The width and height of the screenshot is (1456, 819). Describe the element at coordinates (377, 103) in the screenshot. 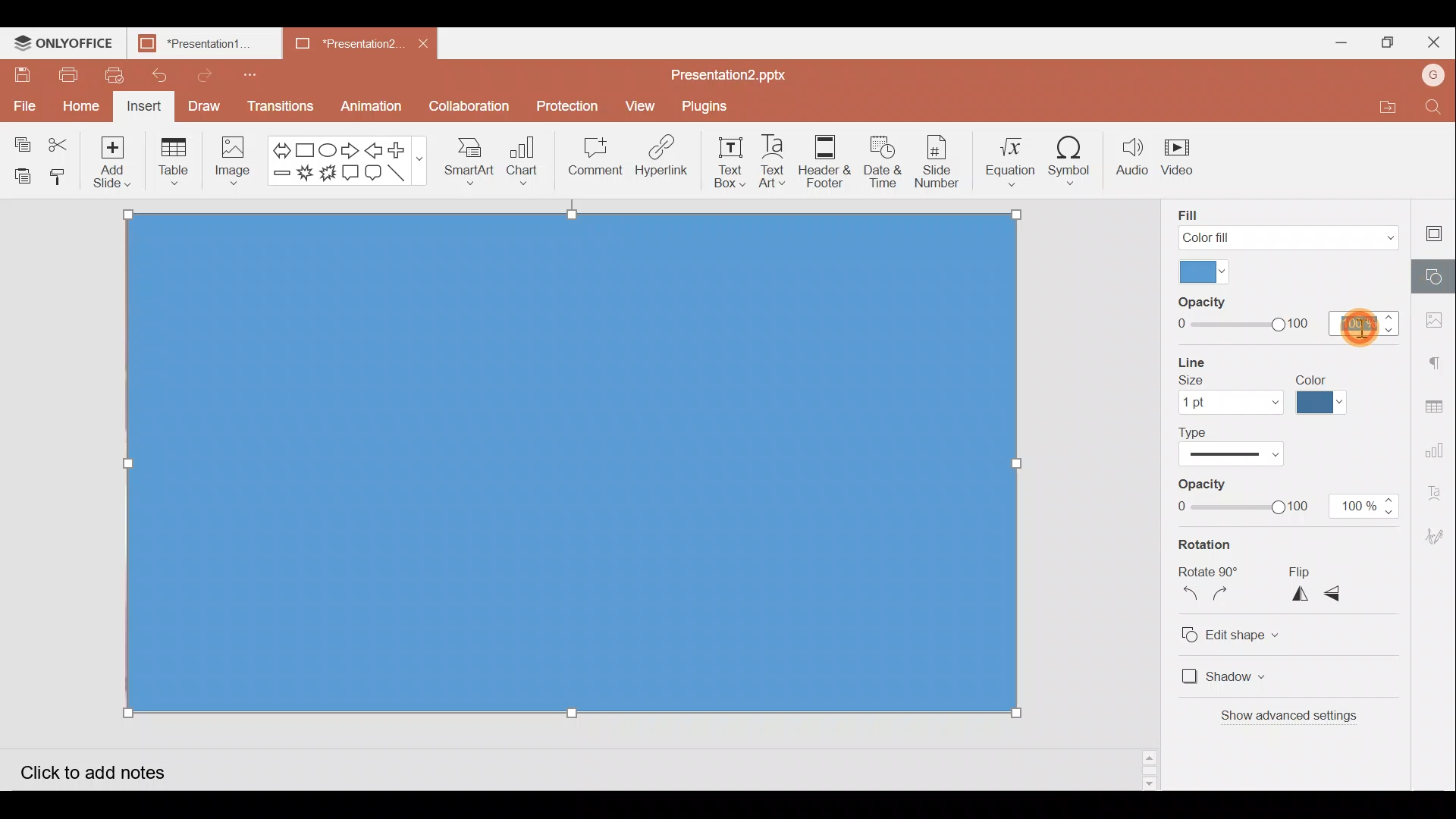

I see `Animation` at that location.